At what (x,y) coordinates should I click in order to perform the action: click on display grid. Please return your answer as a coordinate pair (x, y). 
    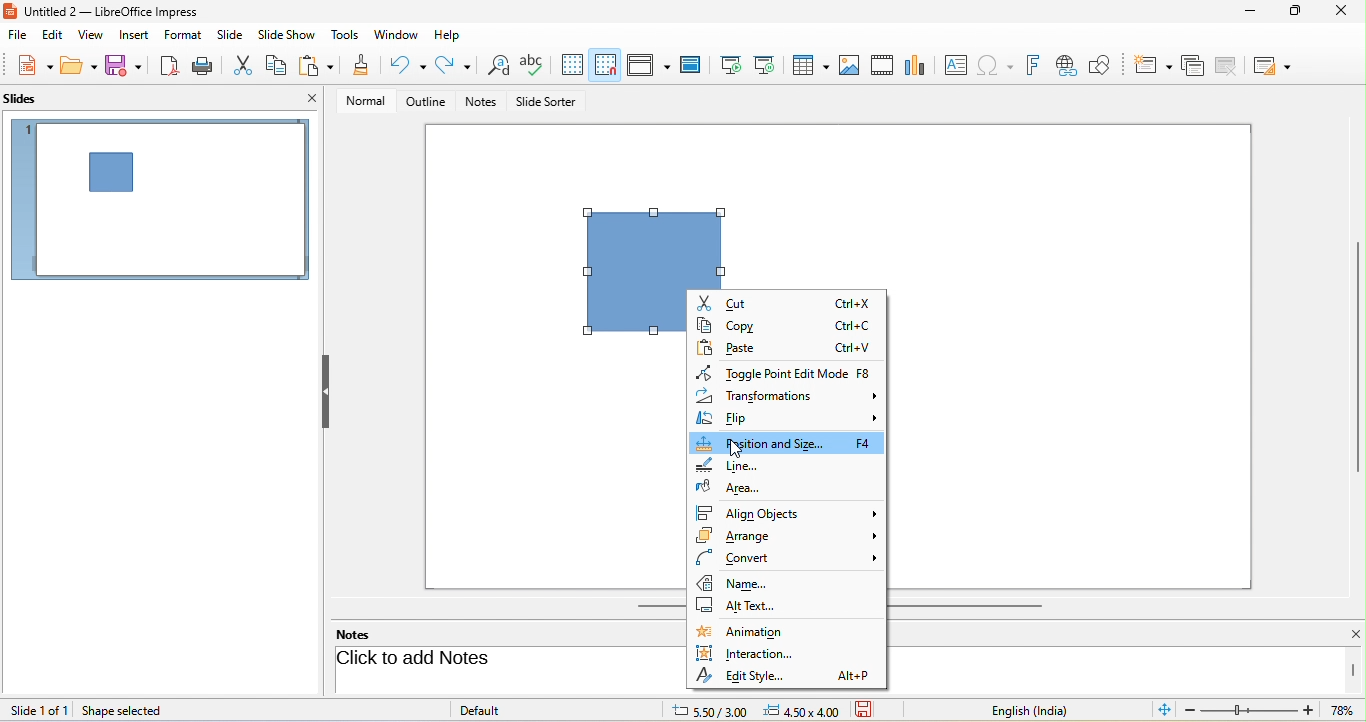
    Looking at the image, I should click on (572, 65).